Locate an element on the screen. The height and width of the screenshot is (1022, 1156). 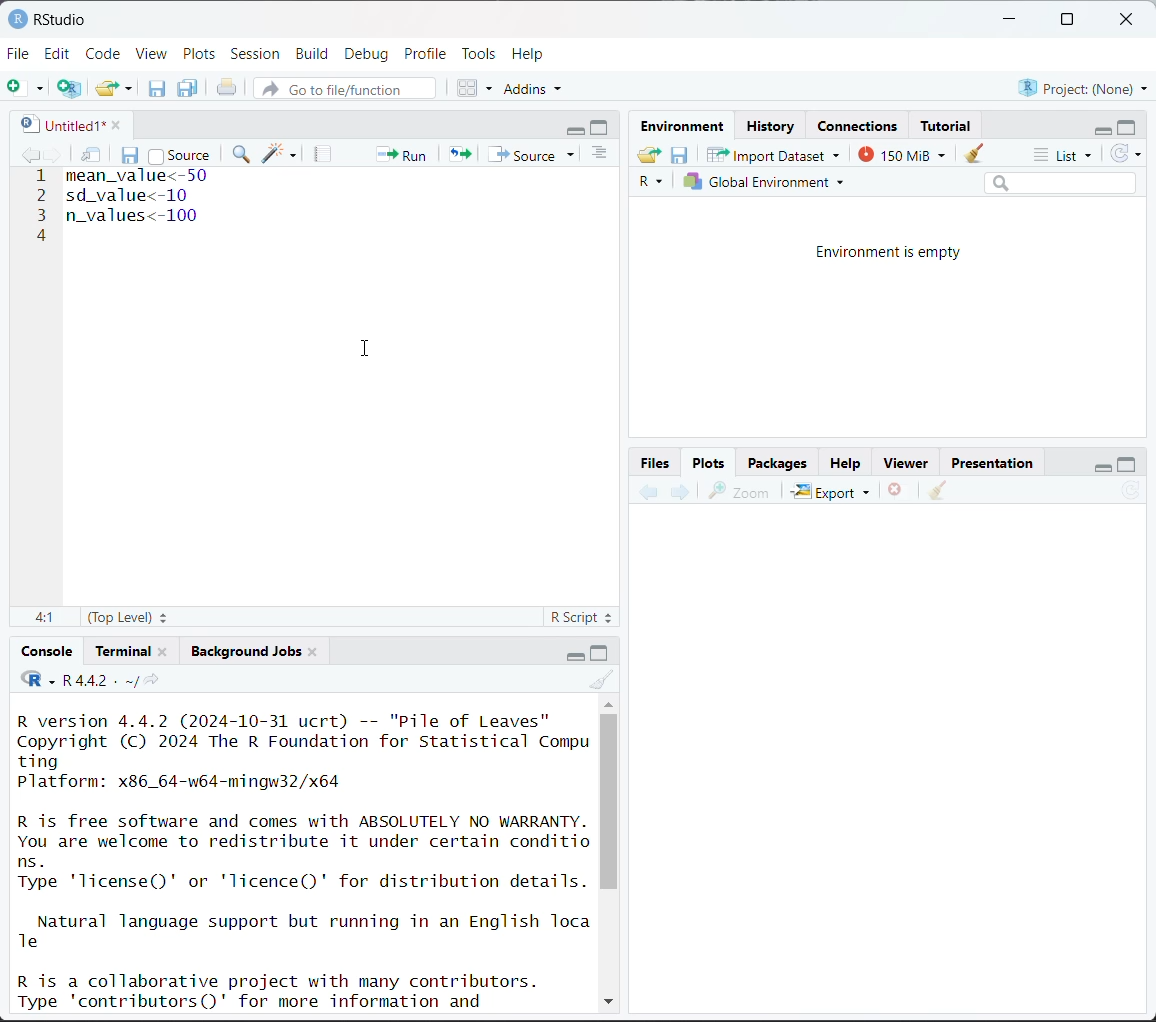
go backward to previous source location is located at coordinates (30, 156).